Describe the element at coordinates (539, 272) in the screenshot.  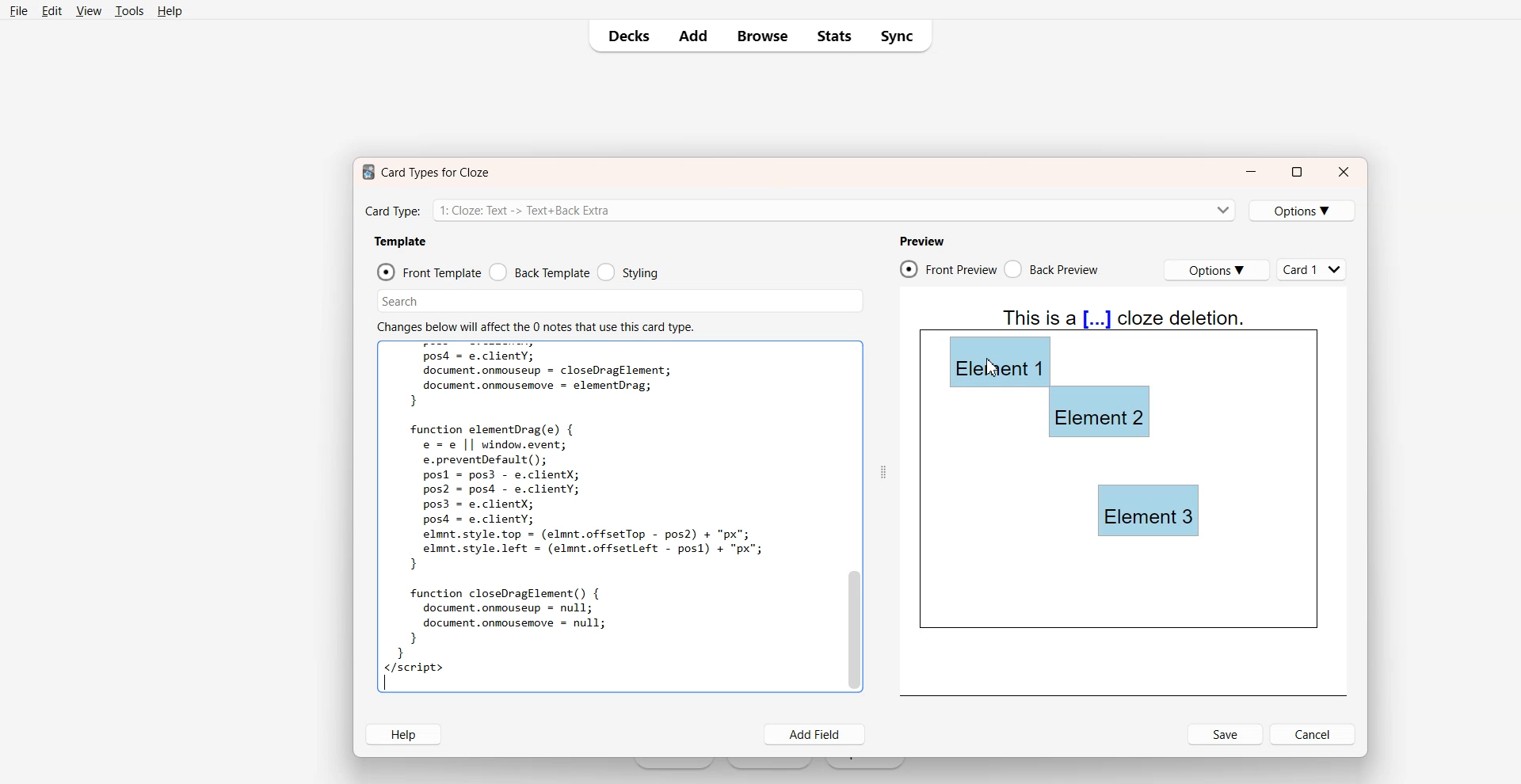
I see `Back Template` at that location.